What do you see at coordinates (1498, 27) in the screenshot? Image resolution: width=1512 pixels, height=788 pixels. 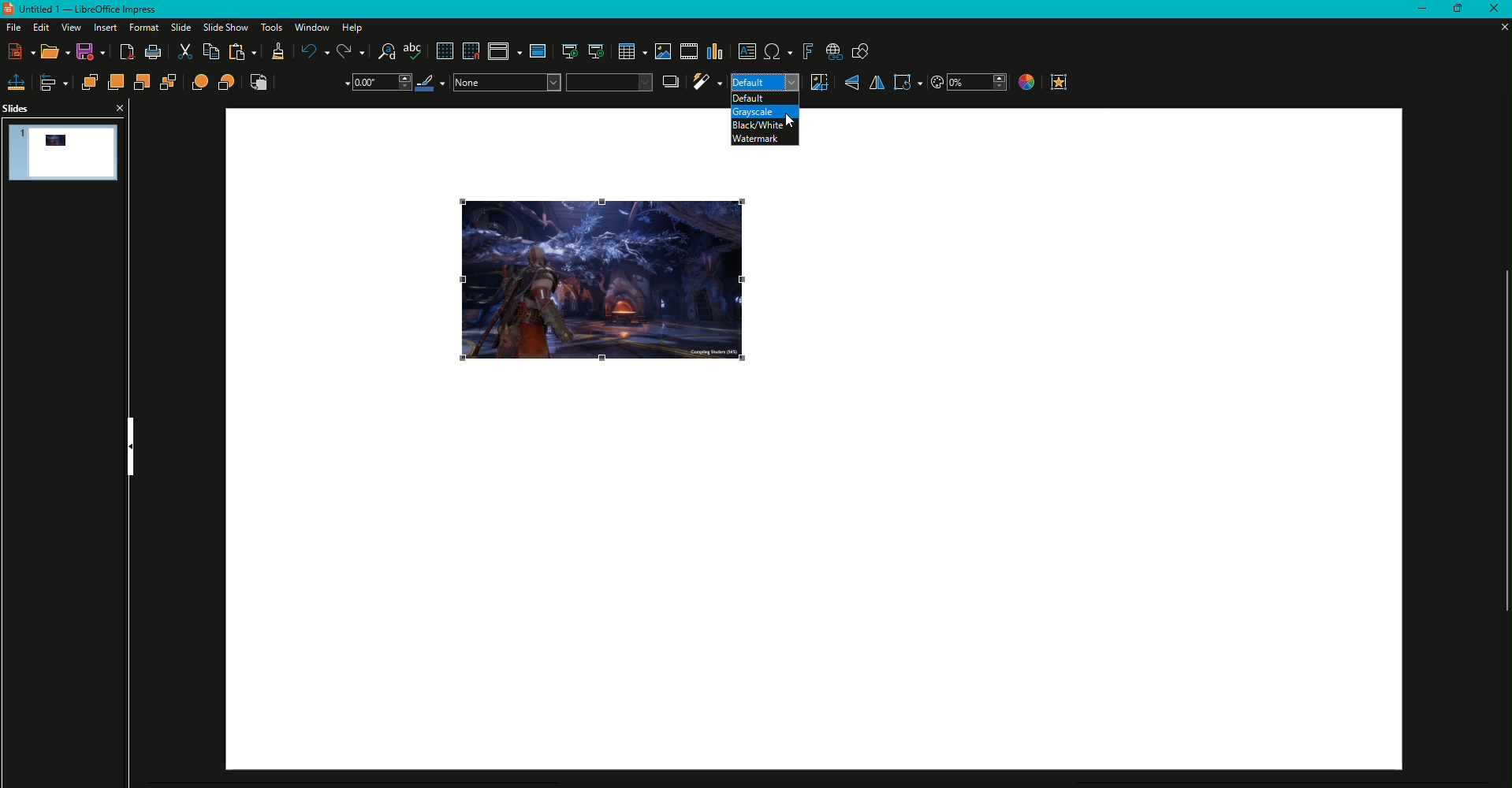 I see `Close sheet` at bounding box center [1498, 27].